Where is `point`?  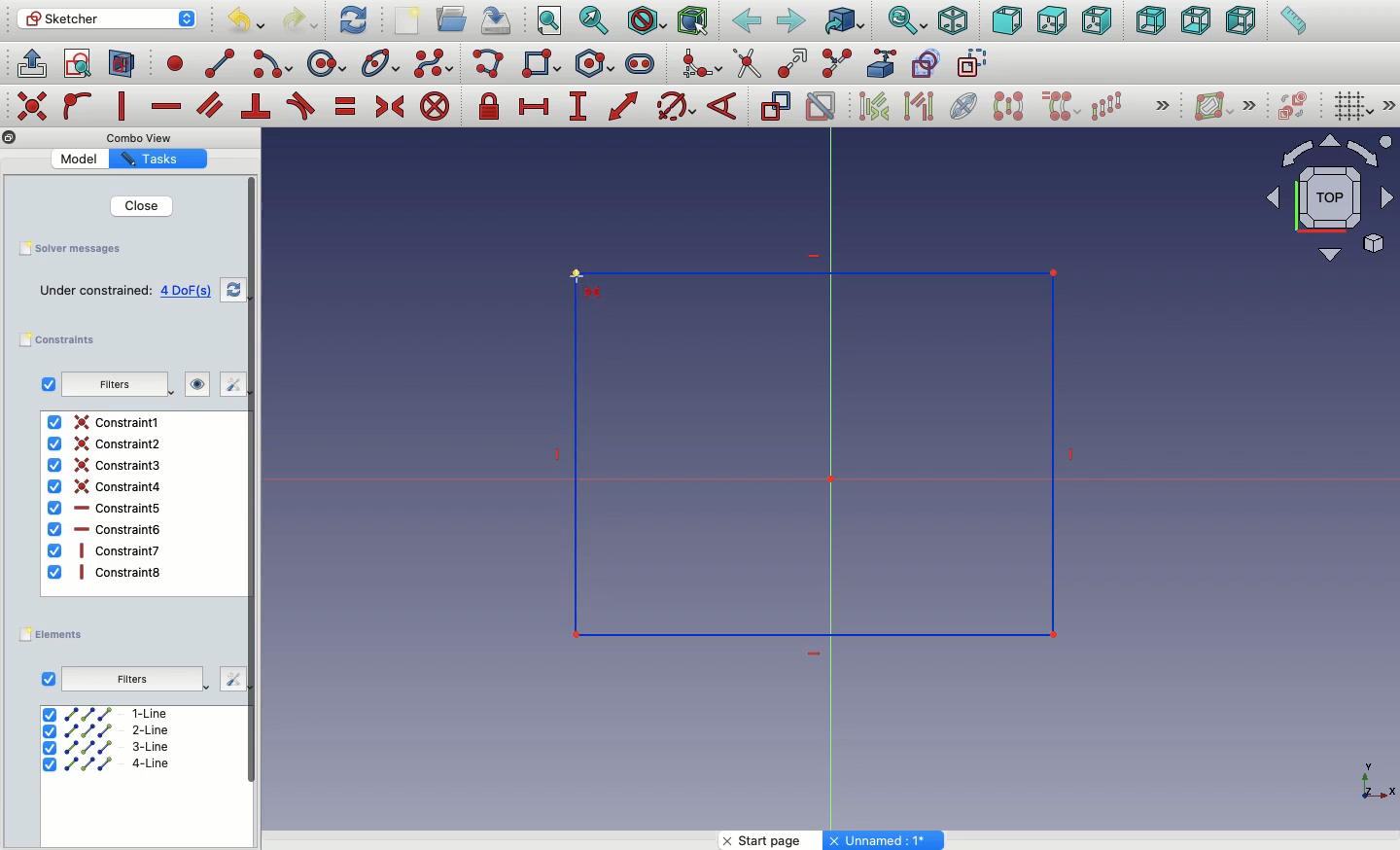
point is located at coordinates (171, 62).